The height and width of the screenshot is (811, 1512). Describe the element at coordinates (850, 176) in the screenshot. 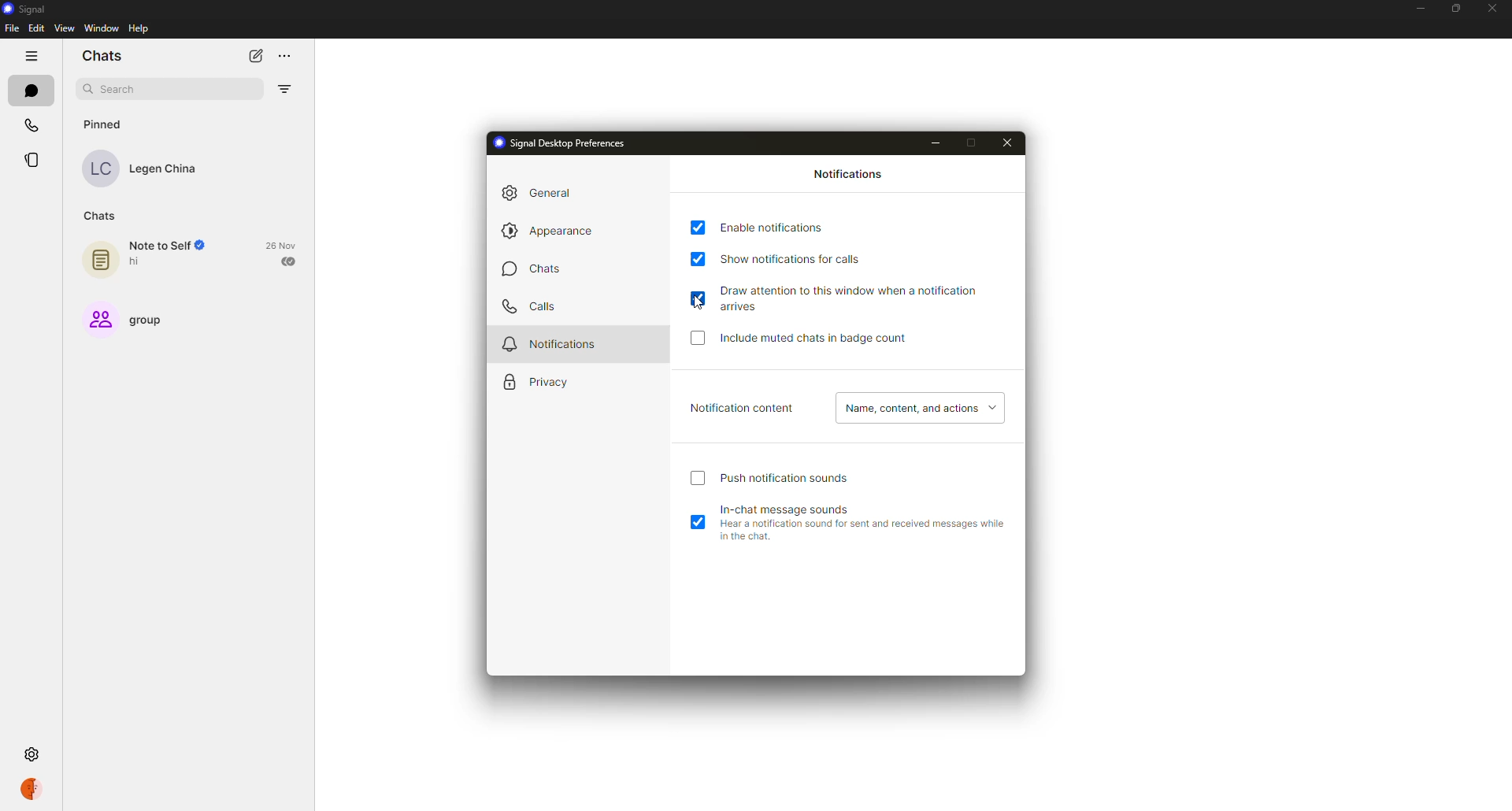

I see `notifications` at that location.